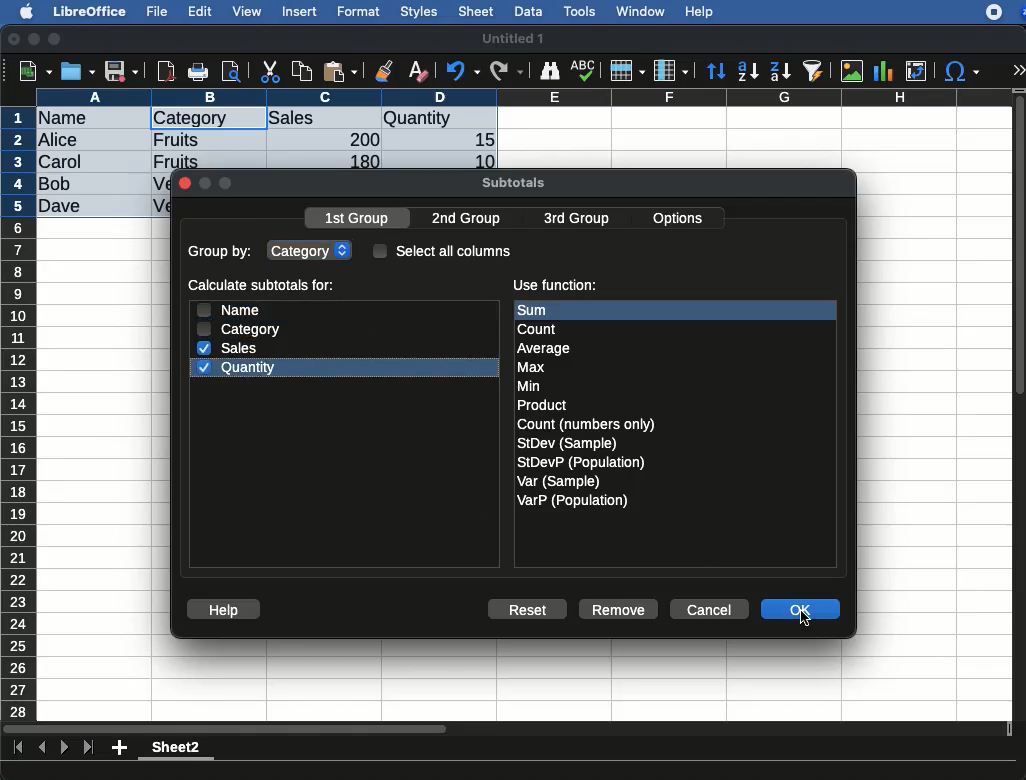 Image resolution: width=1026 pixels, height=780 pixels. I want to click on column, so click(525, 97).